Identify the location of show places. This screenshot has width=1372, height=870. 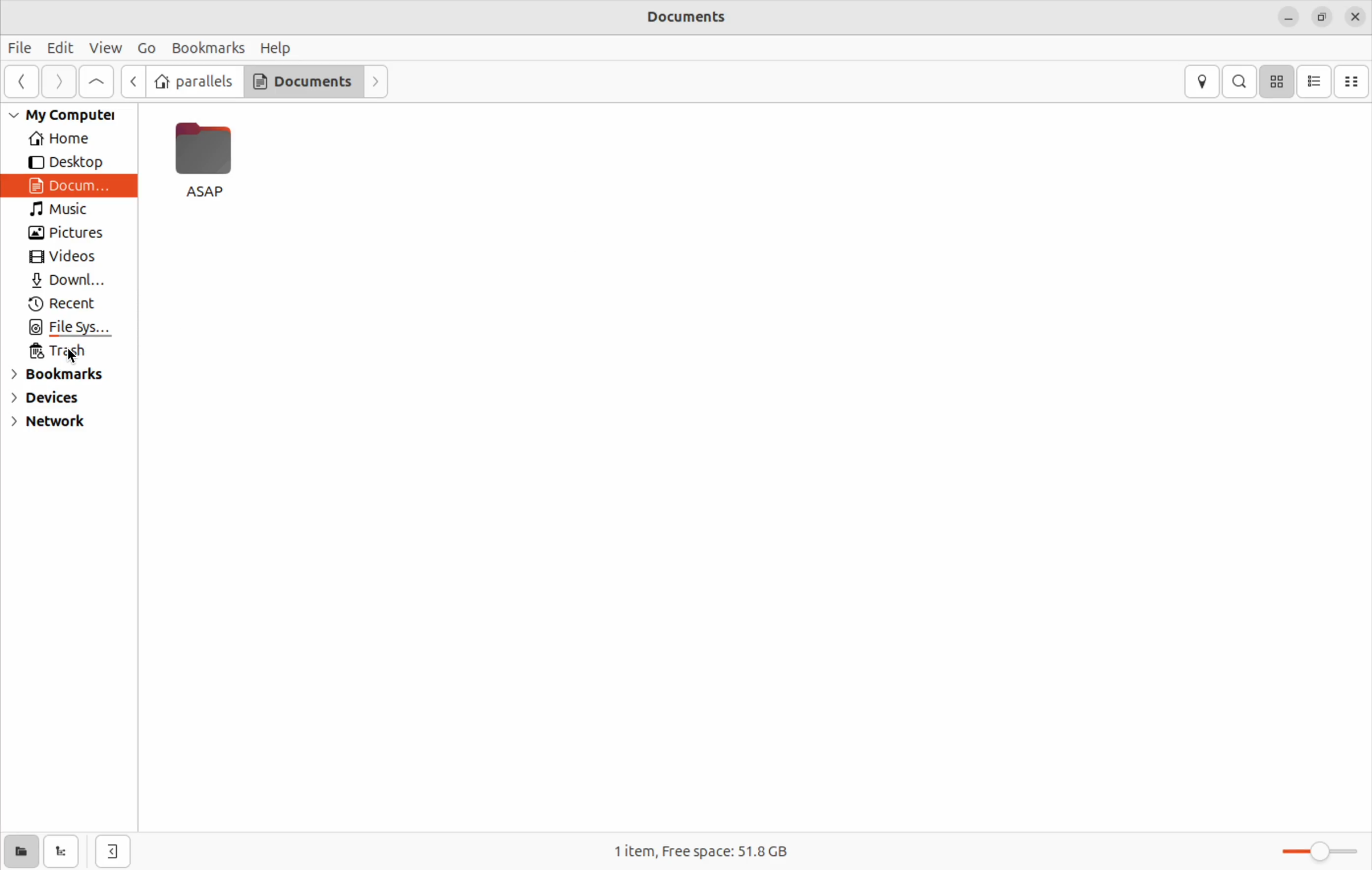
(19, 851).